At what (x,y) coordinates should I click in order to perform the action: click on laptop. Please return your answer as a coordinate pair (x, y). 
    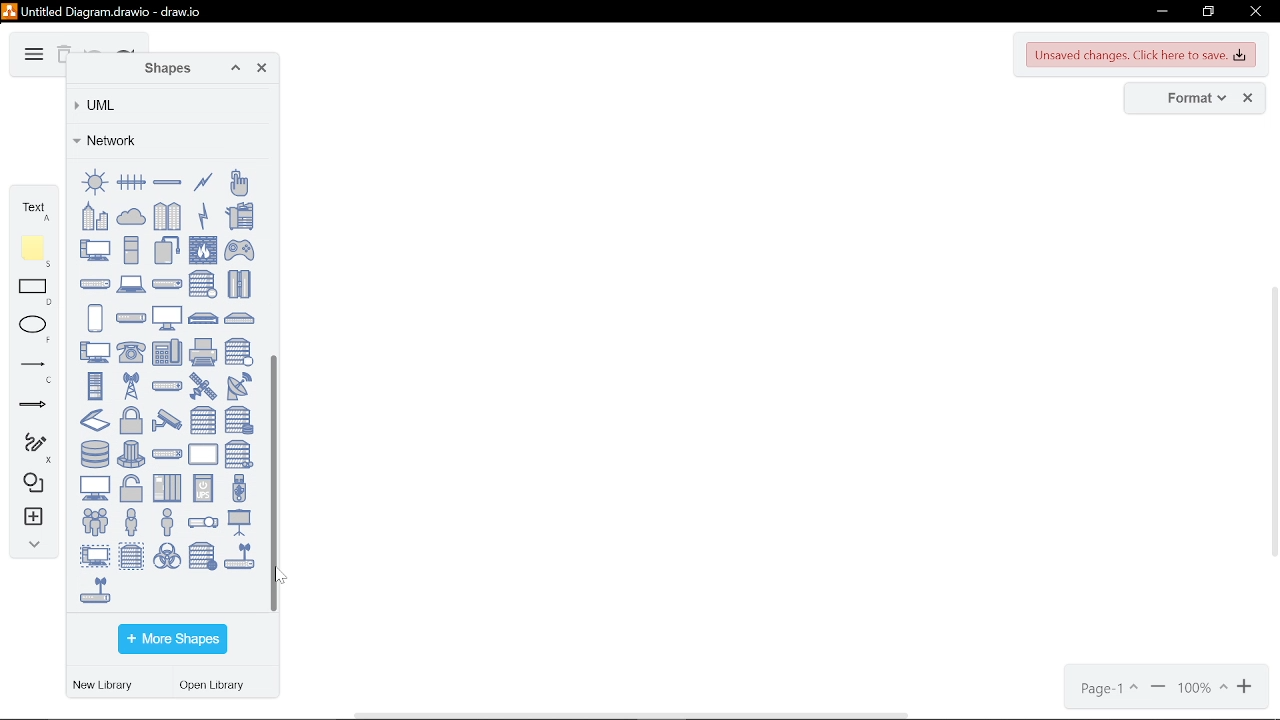
    Looking at the image, I should click on (131, 284).